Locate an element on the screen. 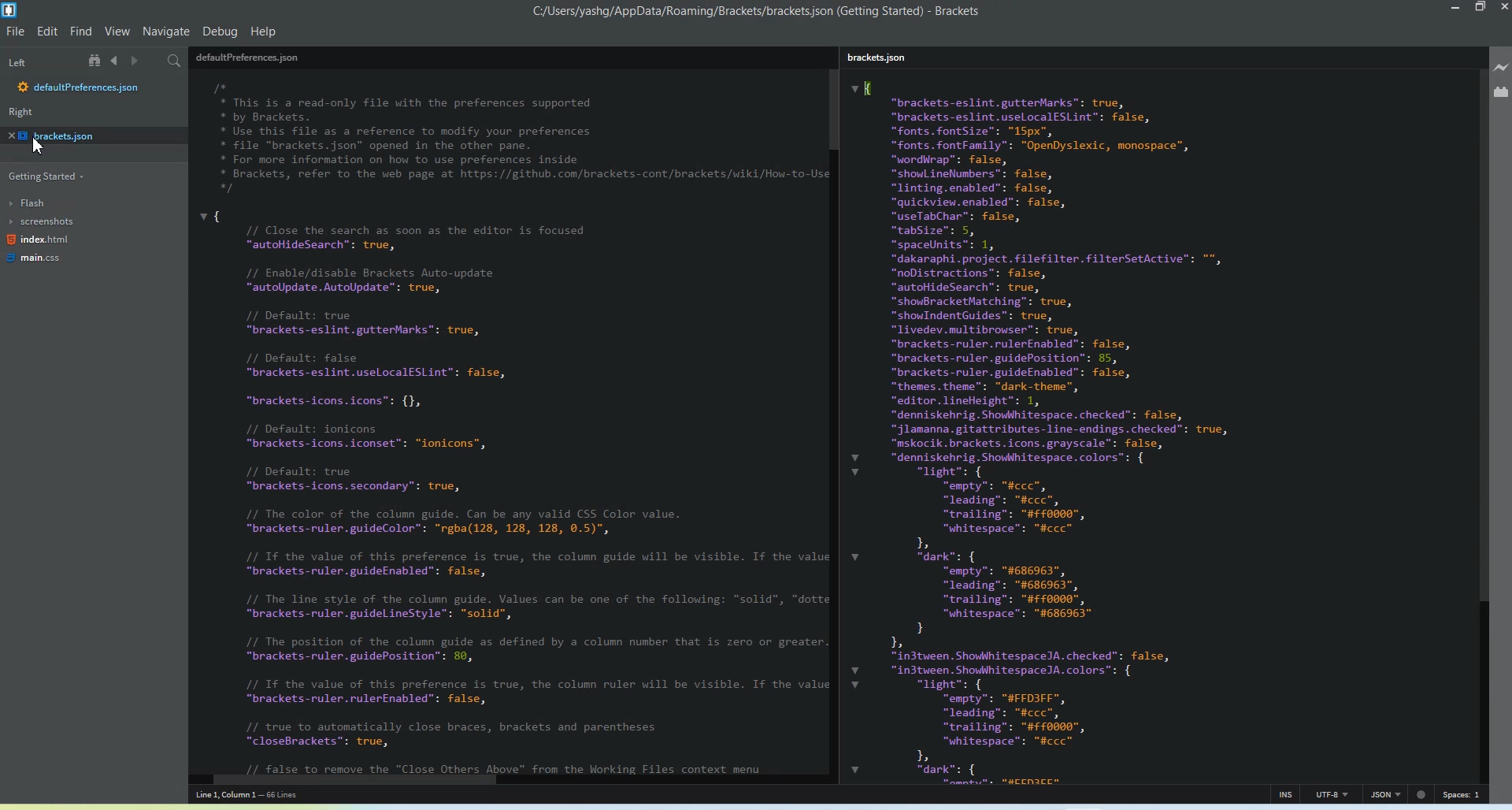  INS is located at coordinates (1286, 793).